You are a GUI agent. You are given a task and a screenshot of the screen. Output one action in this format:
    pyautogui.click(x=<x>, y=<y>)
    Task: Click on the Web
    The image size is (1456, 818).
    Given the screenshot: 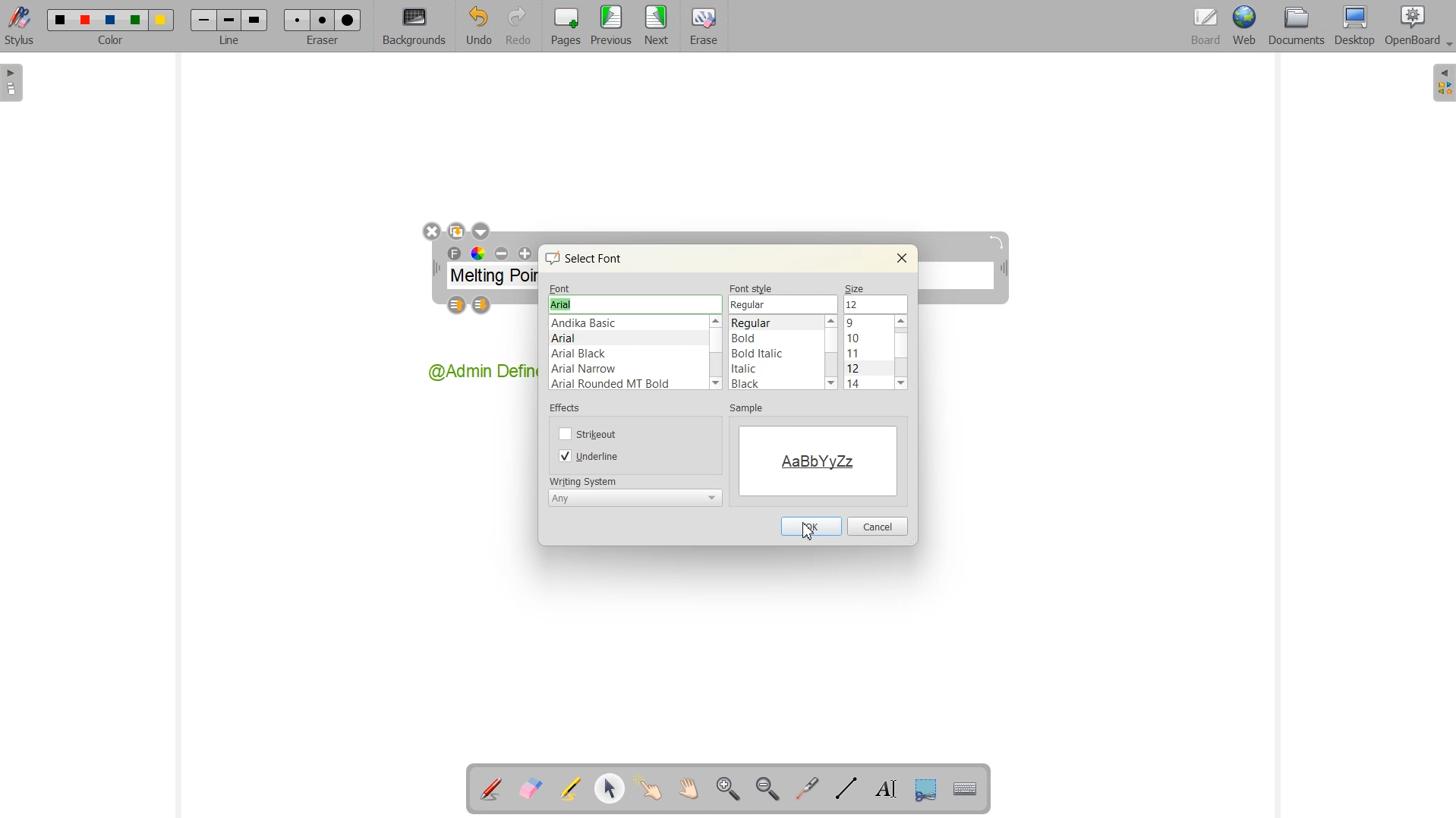 What is the action you would take?
    pyautogui.click(x=1243, y=27)
    